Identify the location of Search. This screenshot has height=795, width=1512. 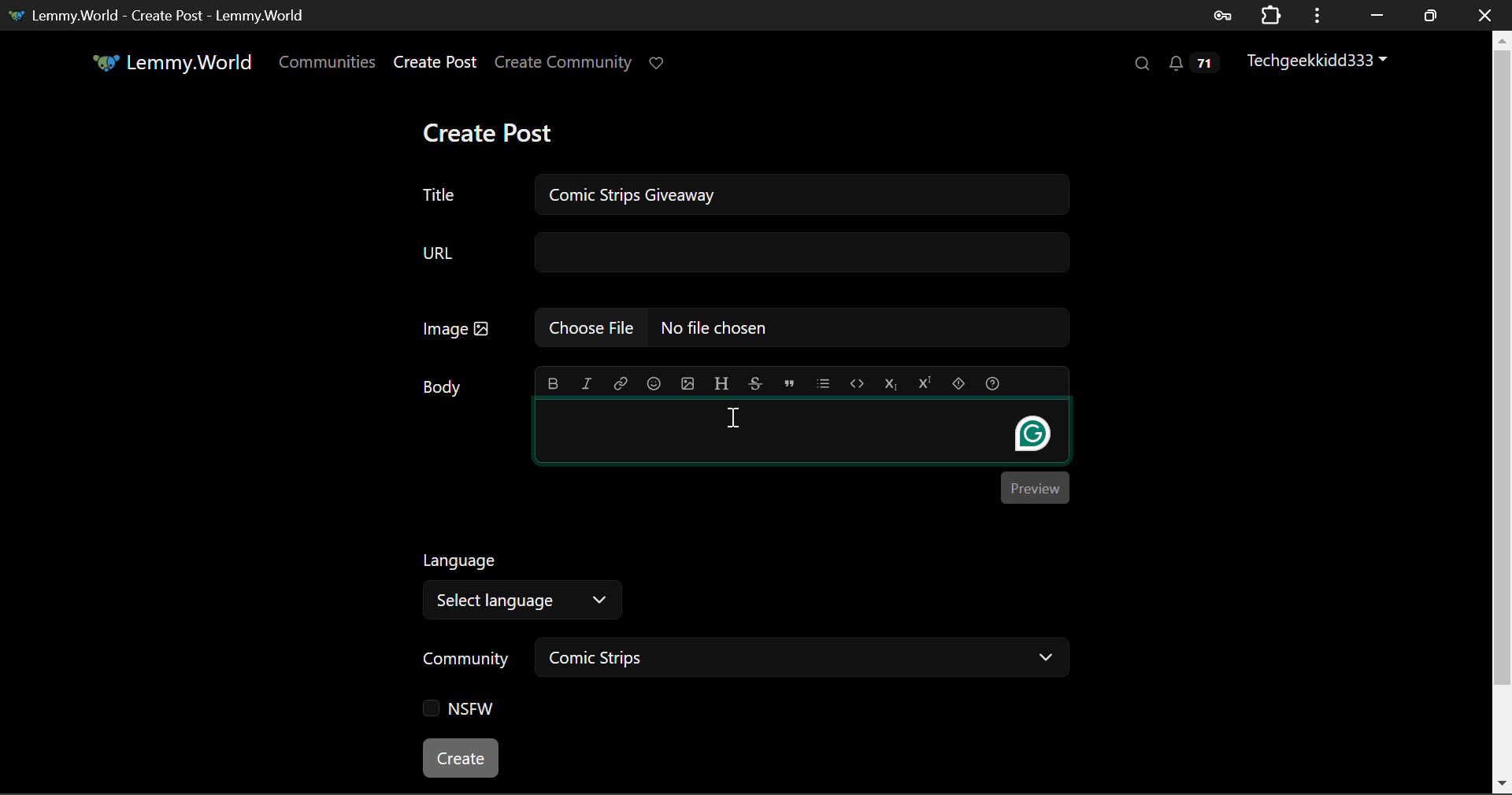
(1142, 65).